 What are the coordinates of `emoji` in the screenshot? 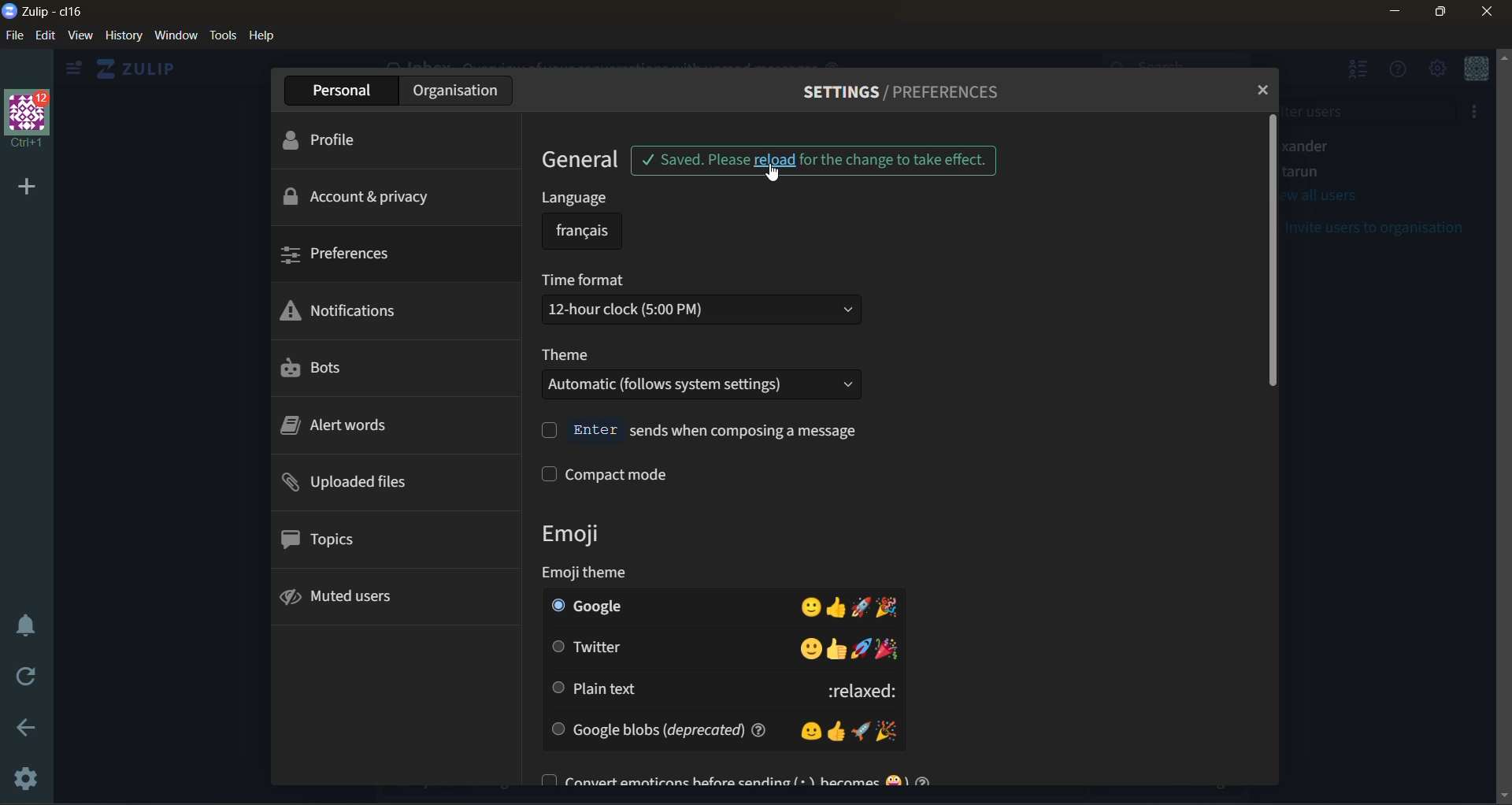 It's located at (586, 533).